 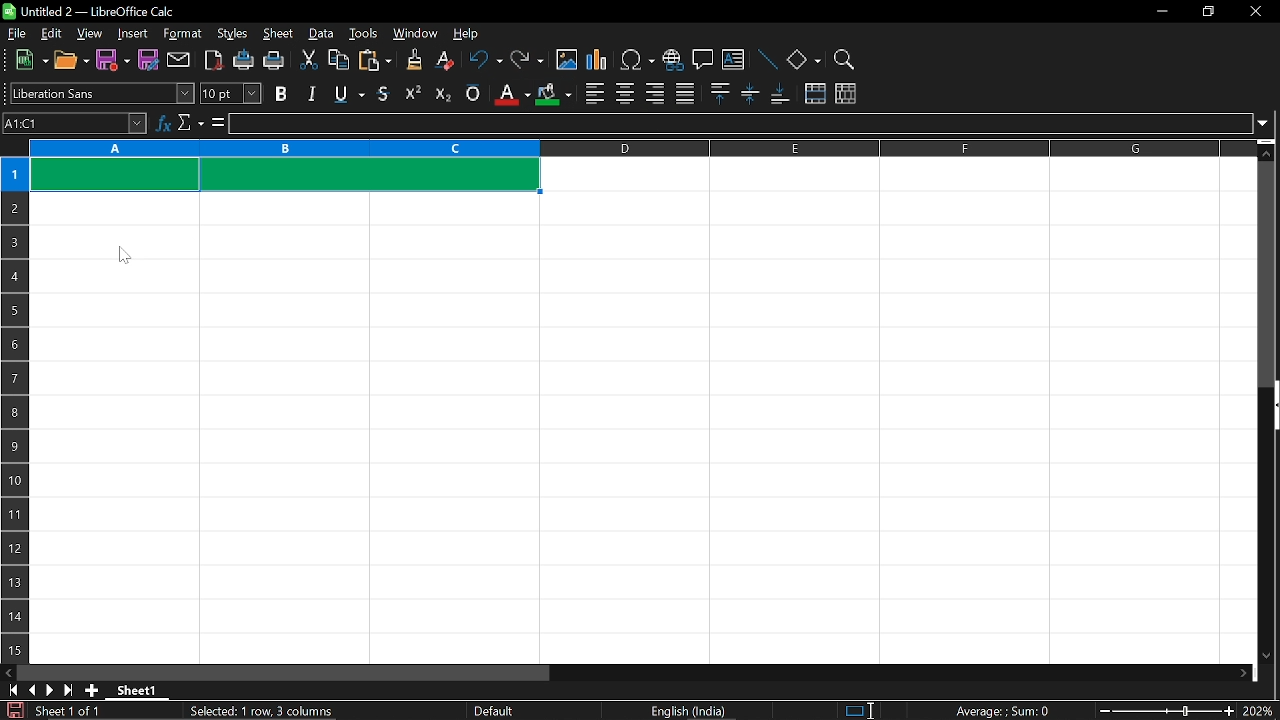 I want to click on export as pdf, so click(x=210, y=60).